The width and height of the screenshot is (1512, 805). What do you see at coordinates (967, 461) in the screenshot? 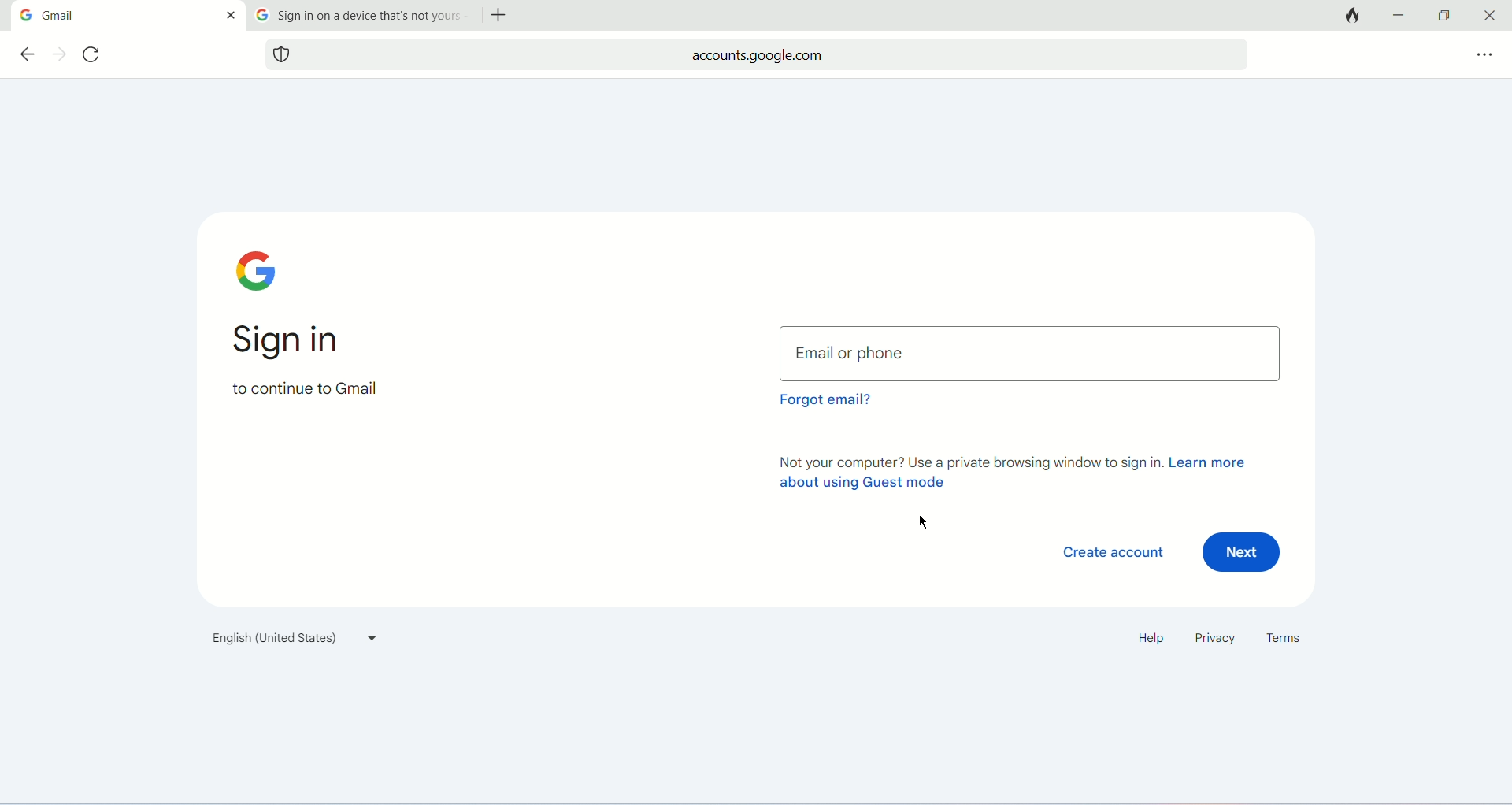
I see `not your computer? use a private browsing window to sign in` at bounding box center [967, 461].